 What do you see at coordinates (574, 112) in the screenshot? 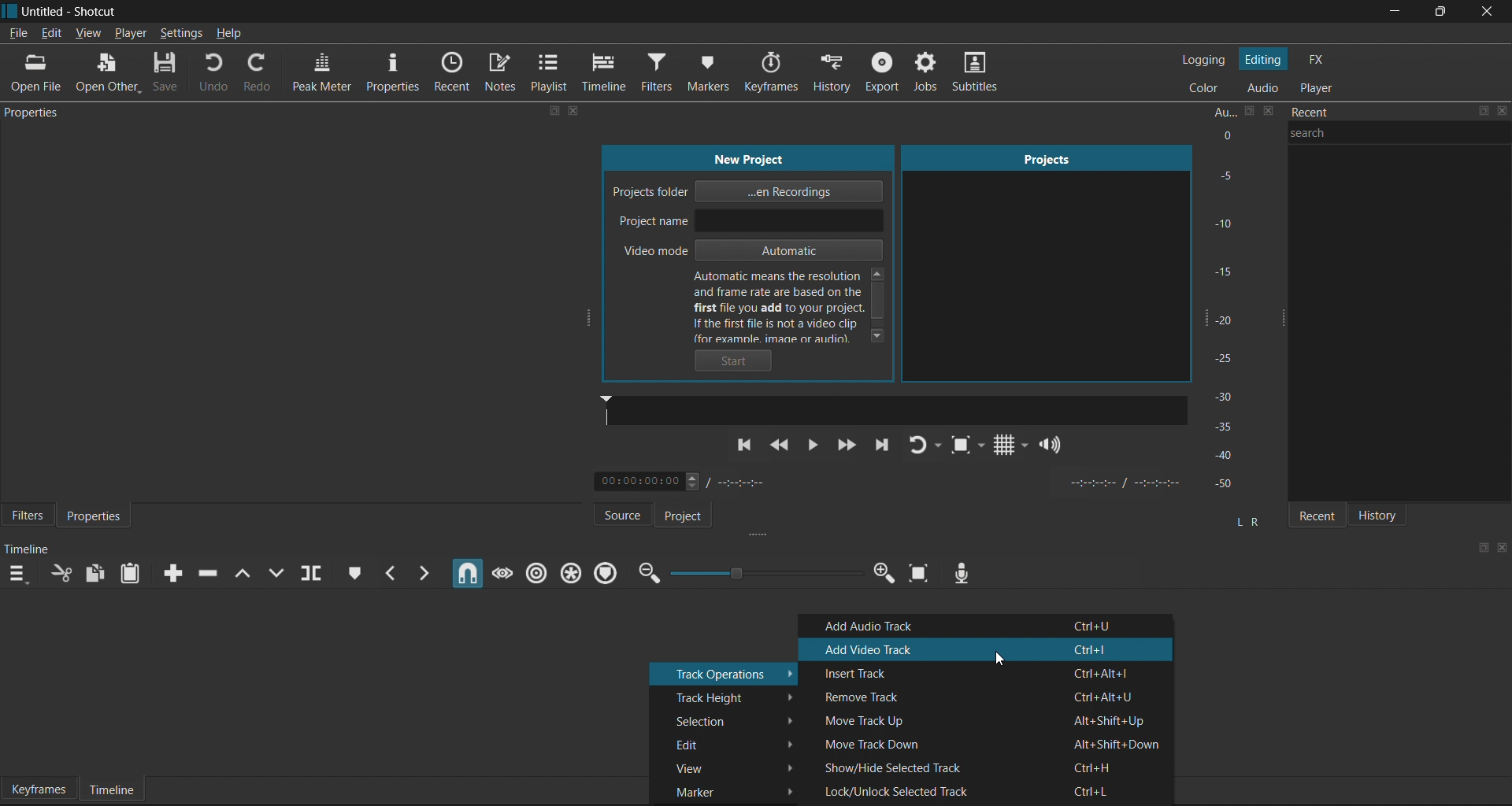
I see `close ` at bounding box center [574, 112].